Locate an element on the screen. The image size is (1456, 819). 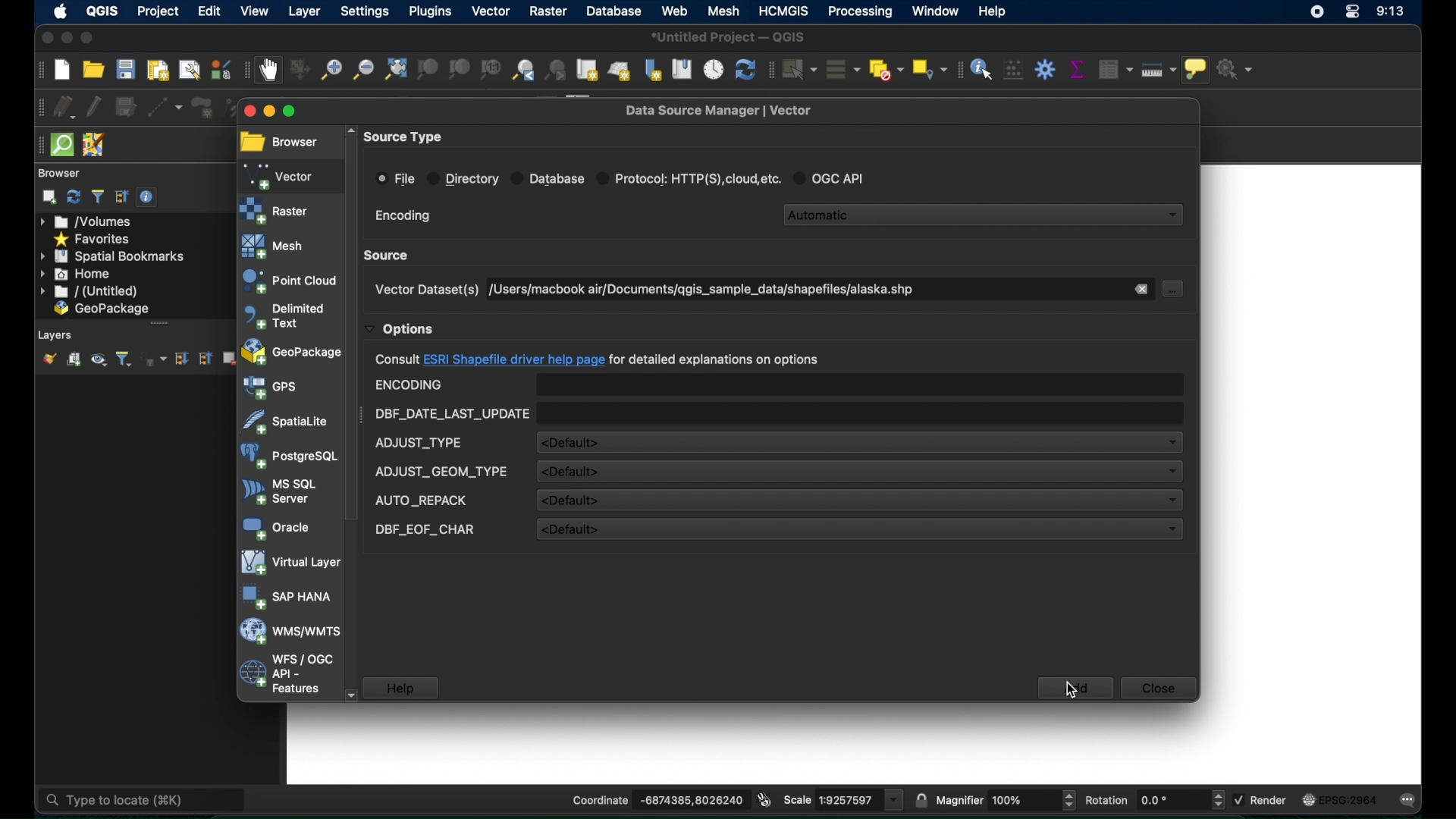
close is located at coordinates (44, 37).